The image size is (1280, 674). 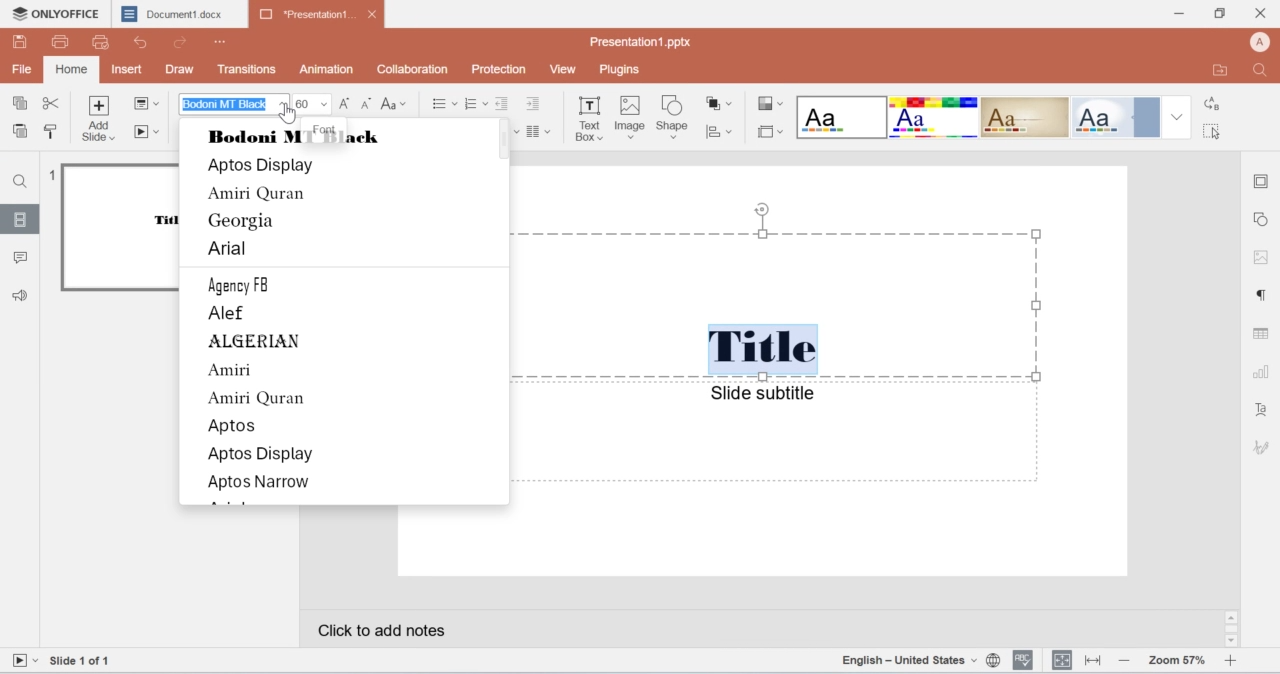 I want to click on scroll bar, so click(x=500, y=140).